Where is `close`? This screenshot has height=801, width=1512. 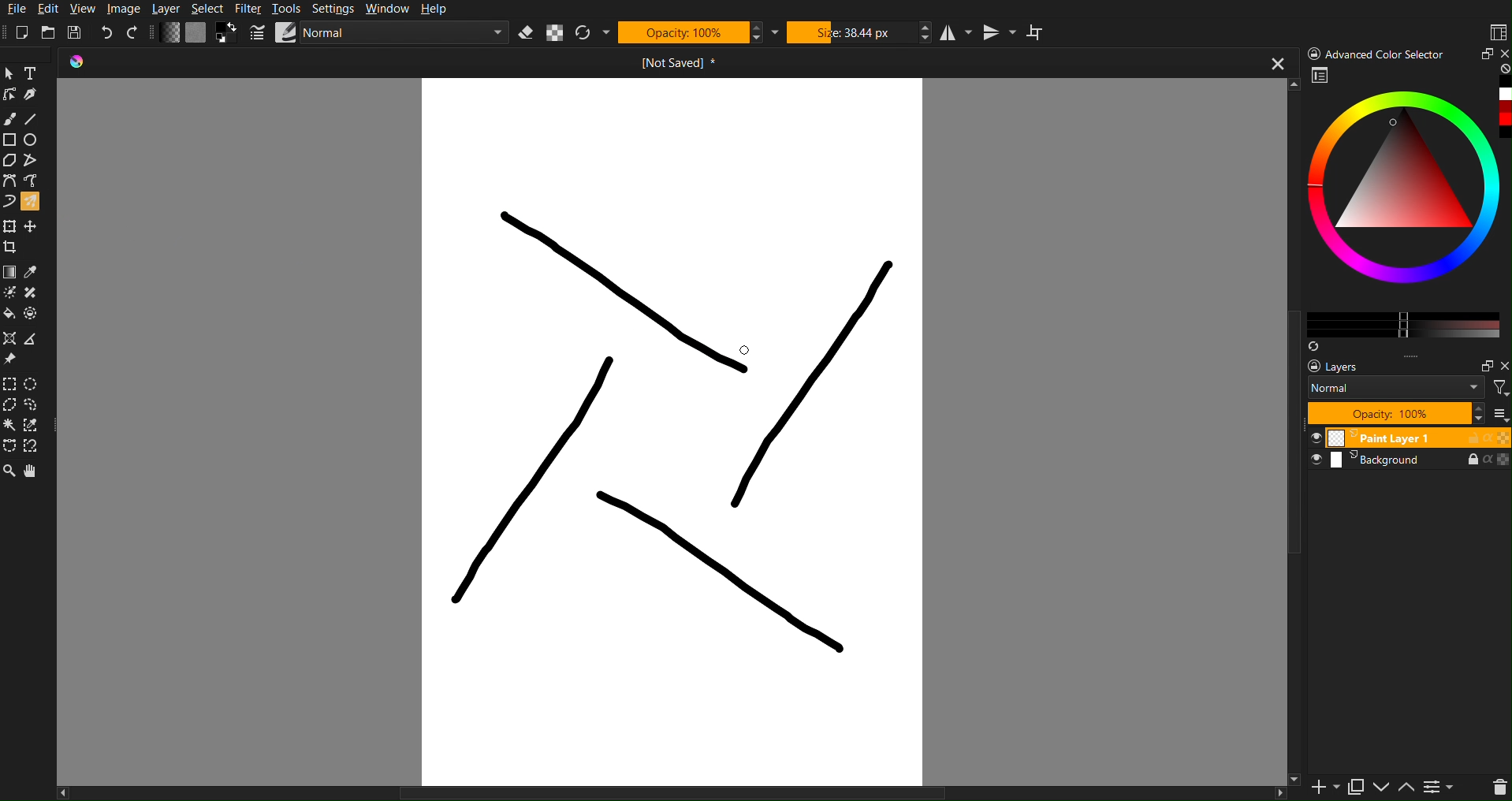 close is located at coordinates (1503, 367).